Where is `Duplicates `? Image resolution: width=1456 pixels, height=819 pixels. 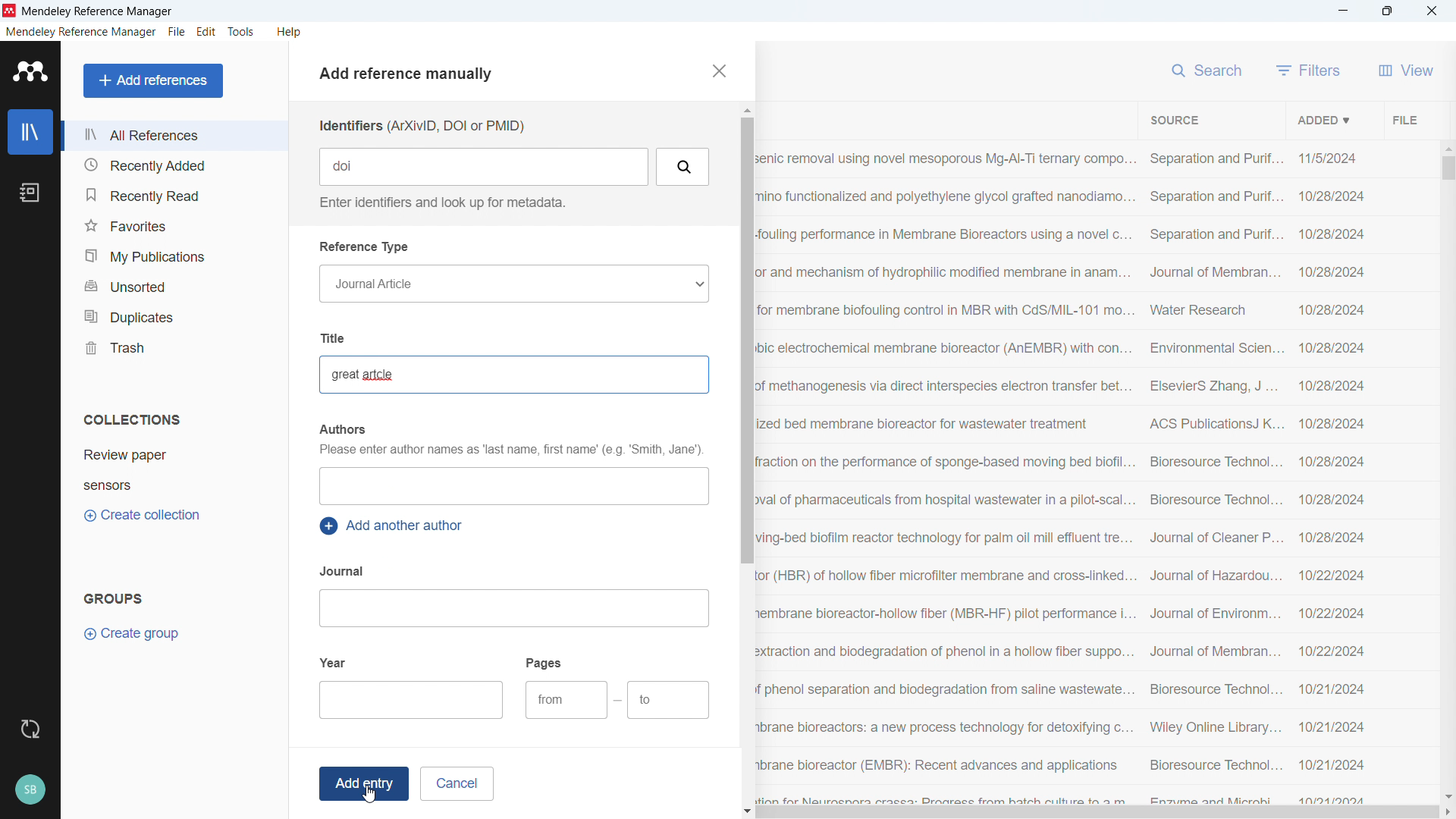 Duplicates  is located at coordinates (174, 315).